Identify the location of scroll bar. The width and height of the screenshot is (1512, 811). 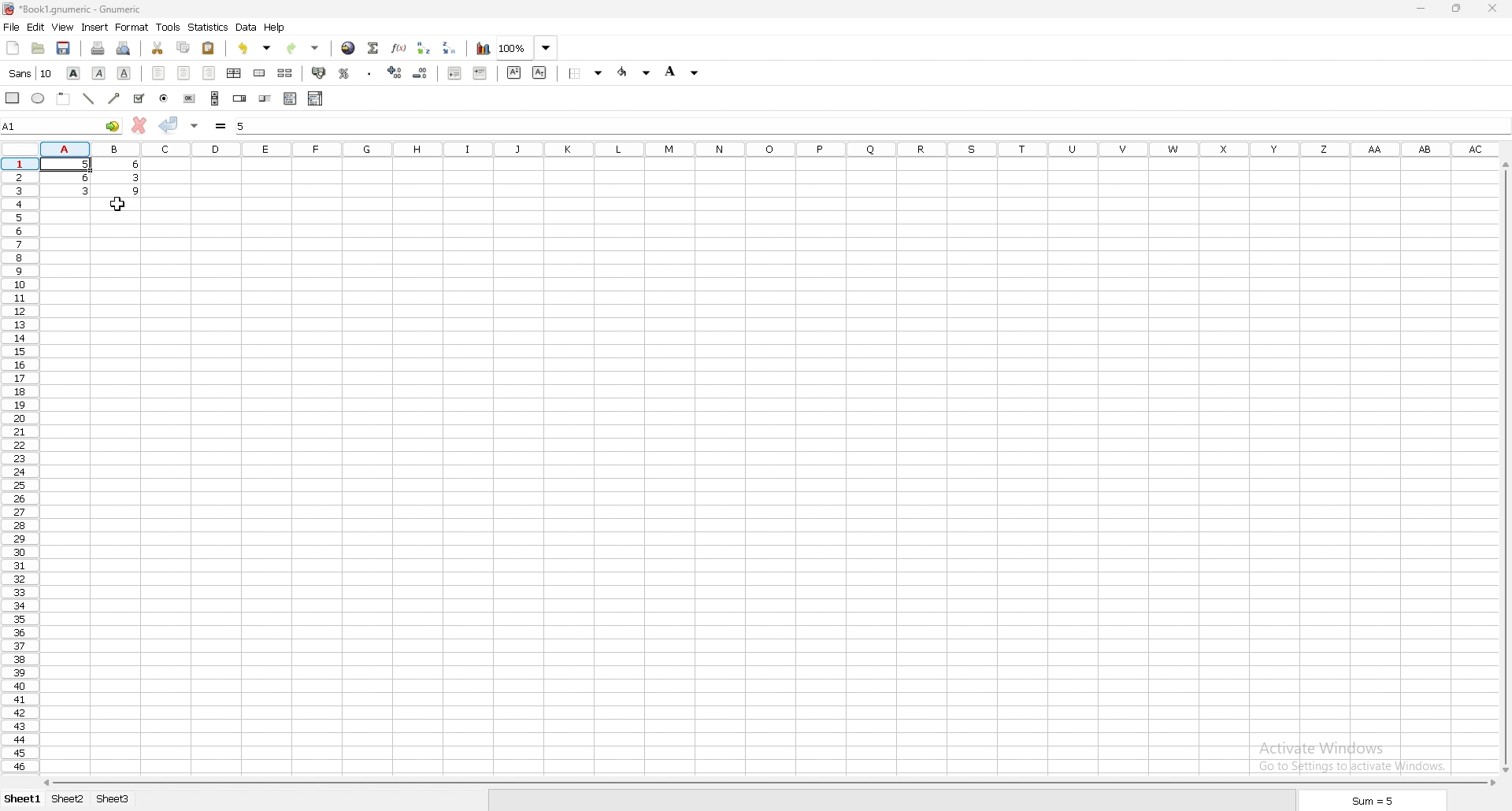
(766, 781).